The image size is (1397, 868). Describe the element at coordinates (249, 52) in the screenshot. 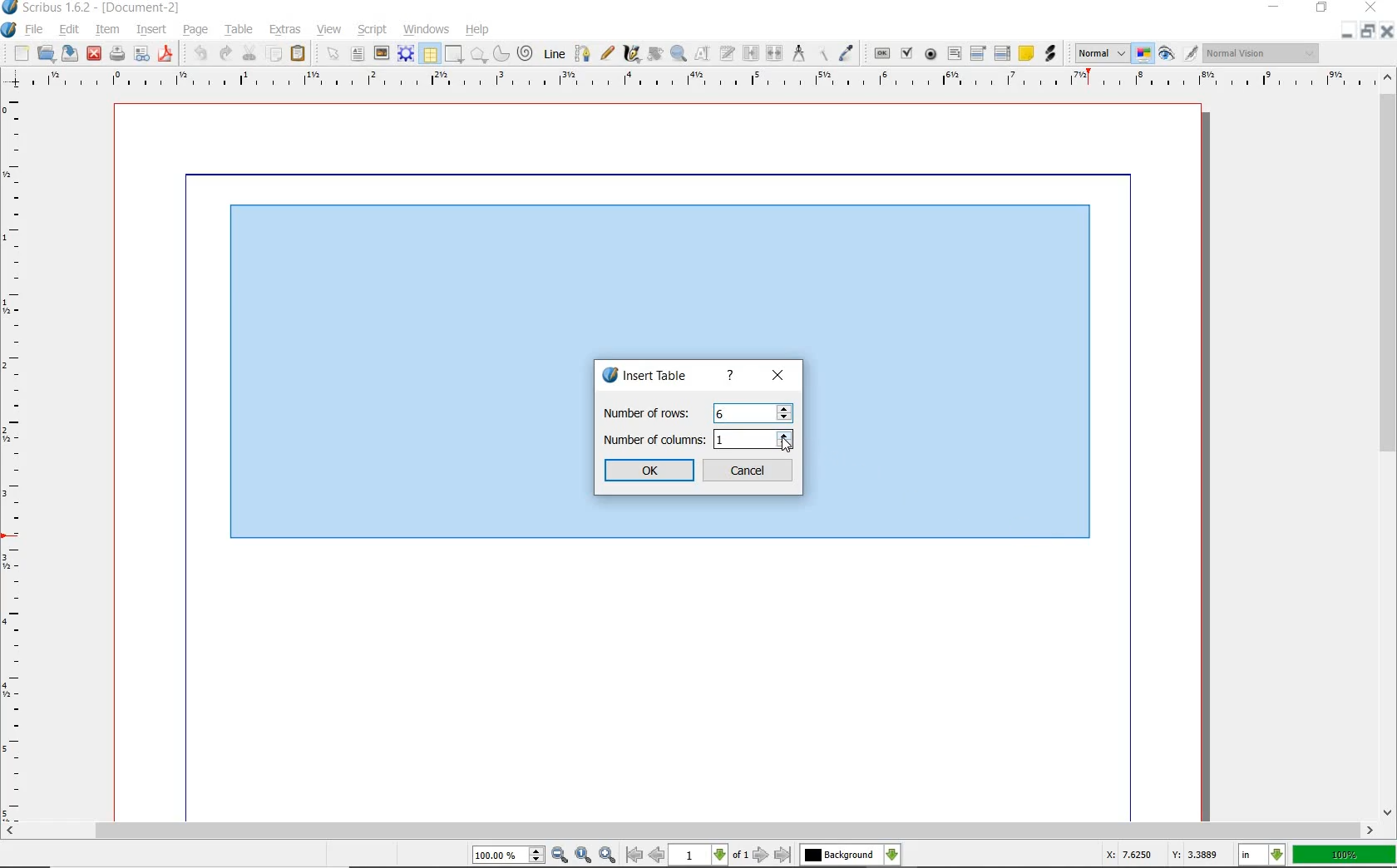

I see `cut` at that location.